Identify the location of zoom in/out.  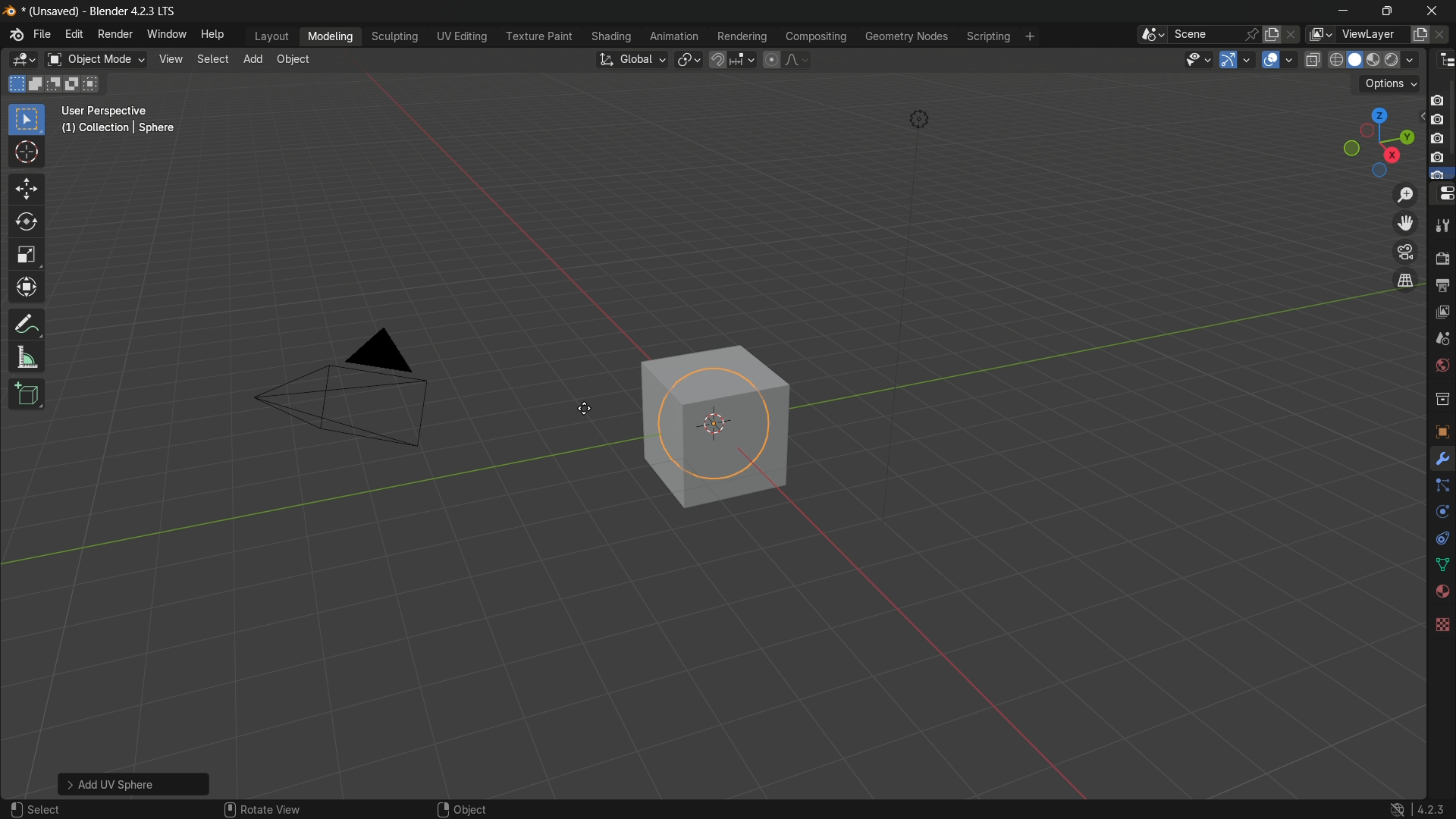
(1403, 193).